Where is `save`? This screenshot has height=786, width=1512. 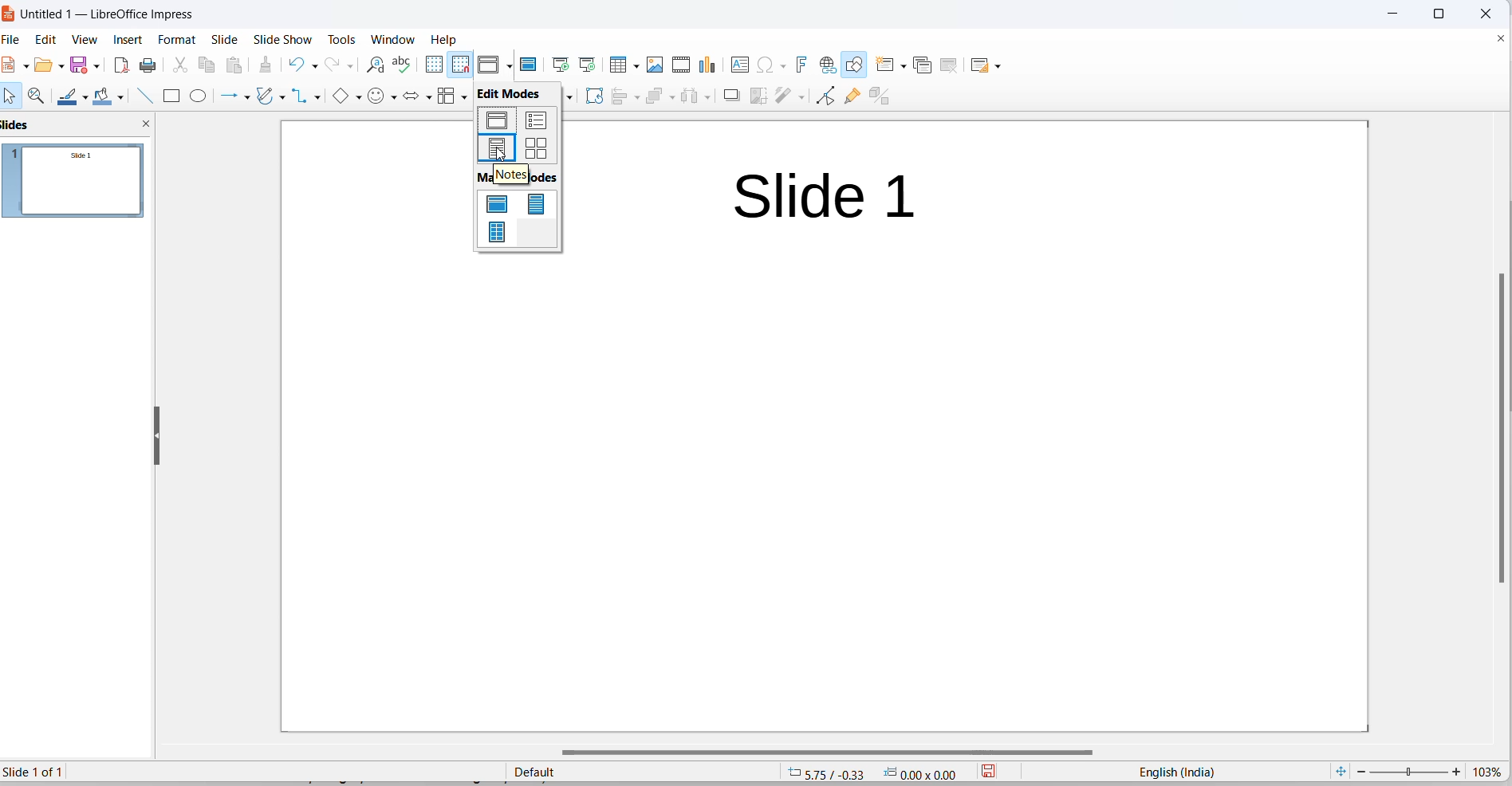
save is located at coordinates (80, 64).